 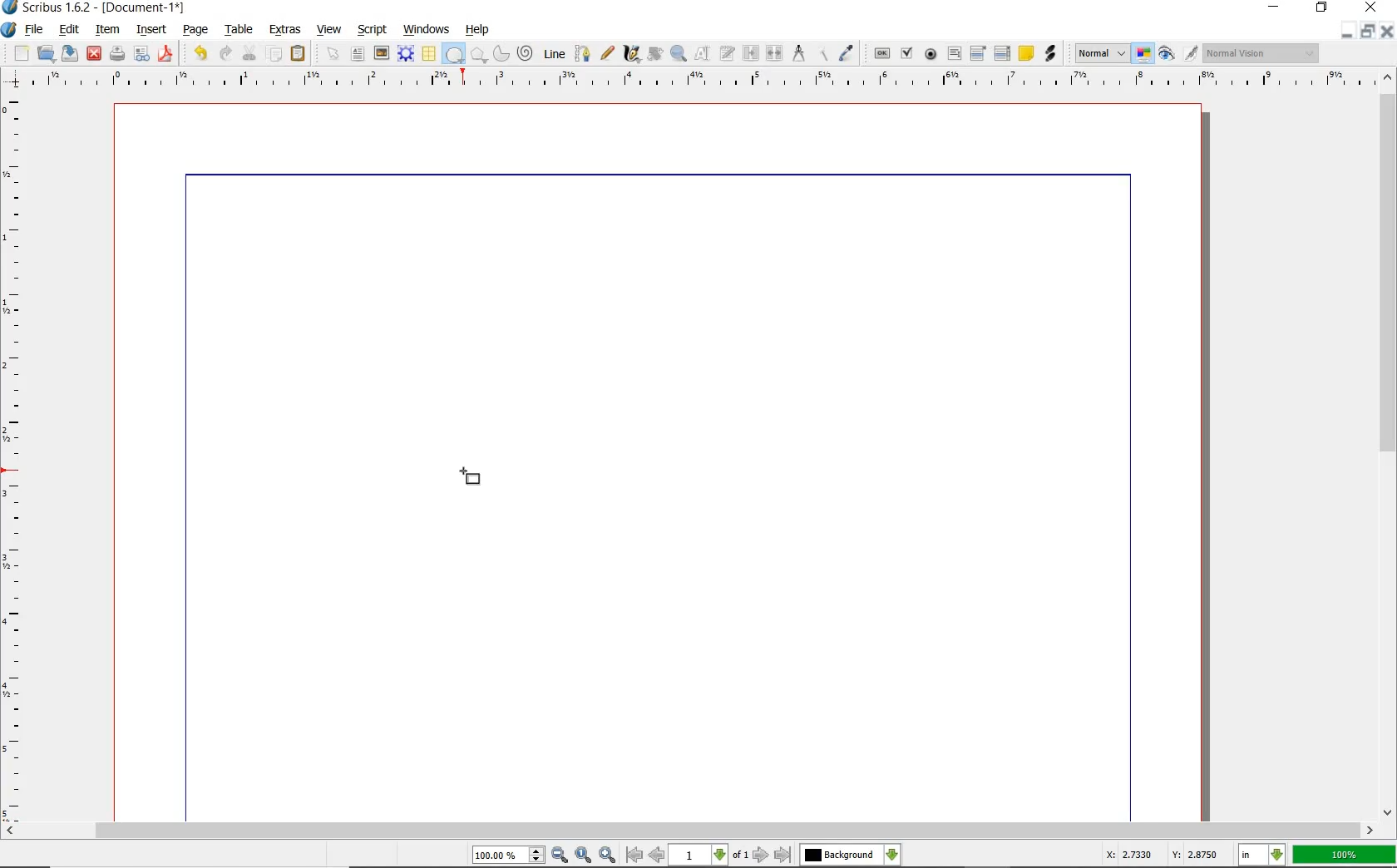 I want to click on RULER, so click(x=694, y=81).